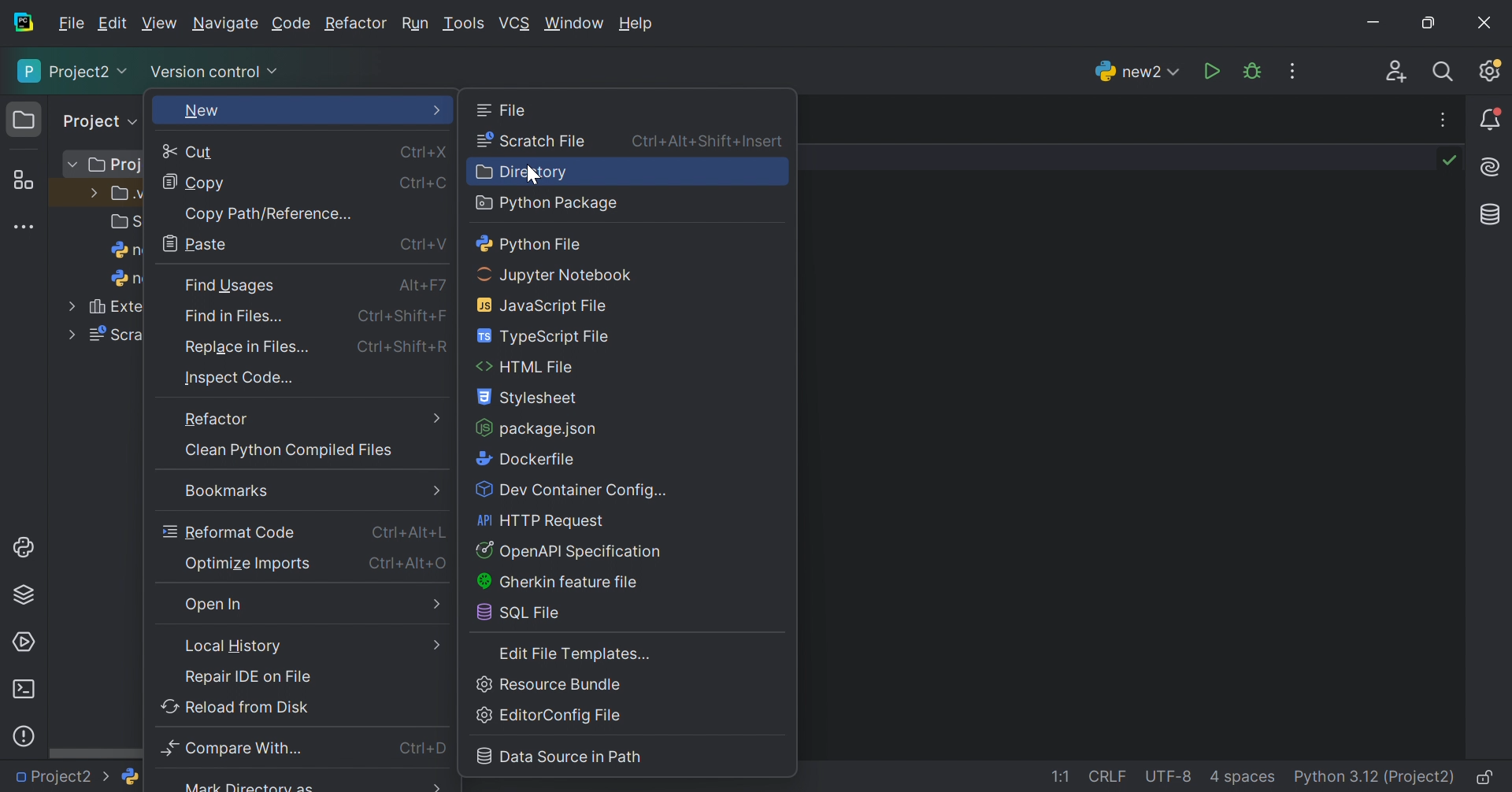 The width and height of the screenshot is (1512, 792). I want to click on Tool, so click(464, 25).